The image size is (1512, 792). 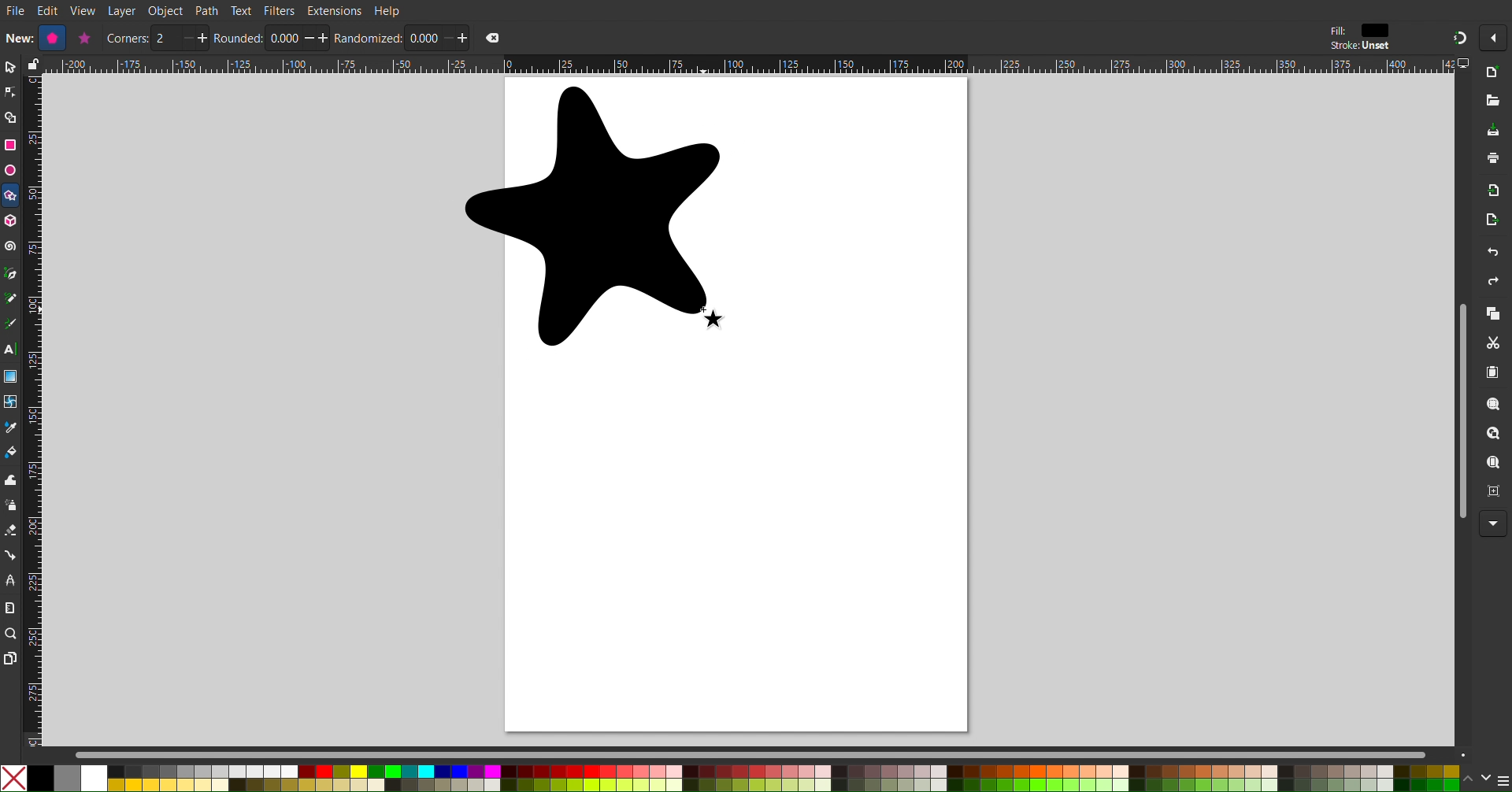 I want to click on computer icon, so click(x=1466, y=64).